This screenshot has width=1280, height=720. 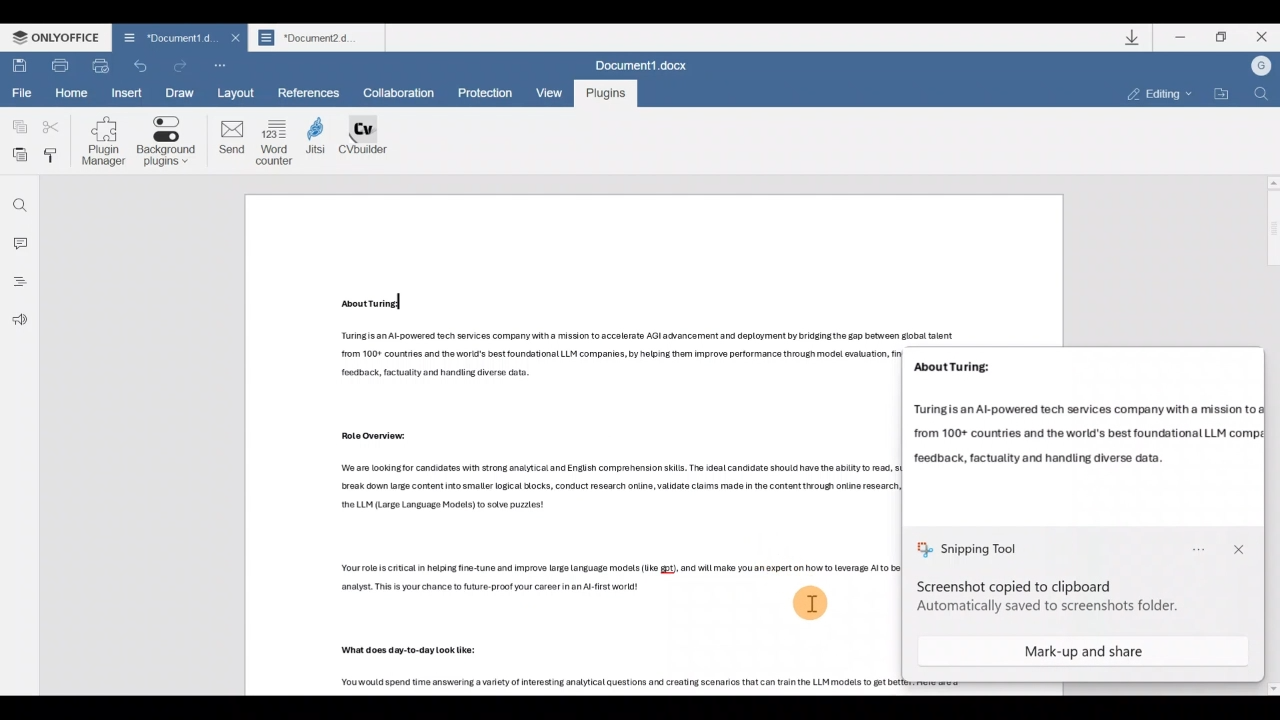 What do you see at coordinates (18, 285) in the screenshot?
I see `Headings` at bounding box center [18, 285].